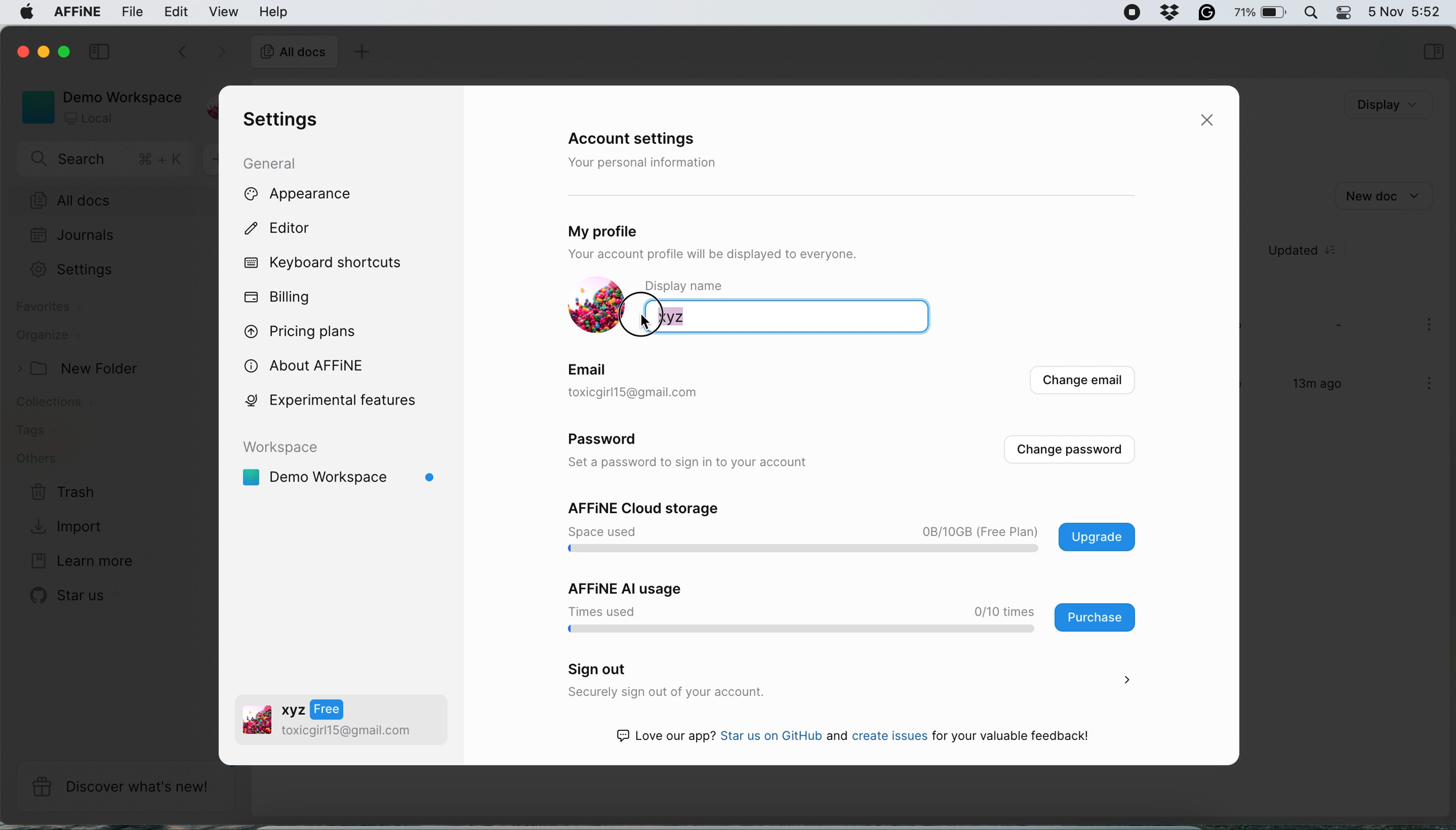  Describe the element at coordinates (280, 162) in the screenshot. I see `general` at that location.